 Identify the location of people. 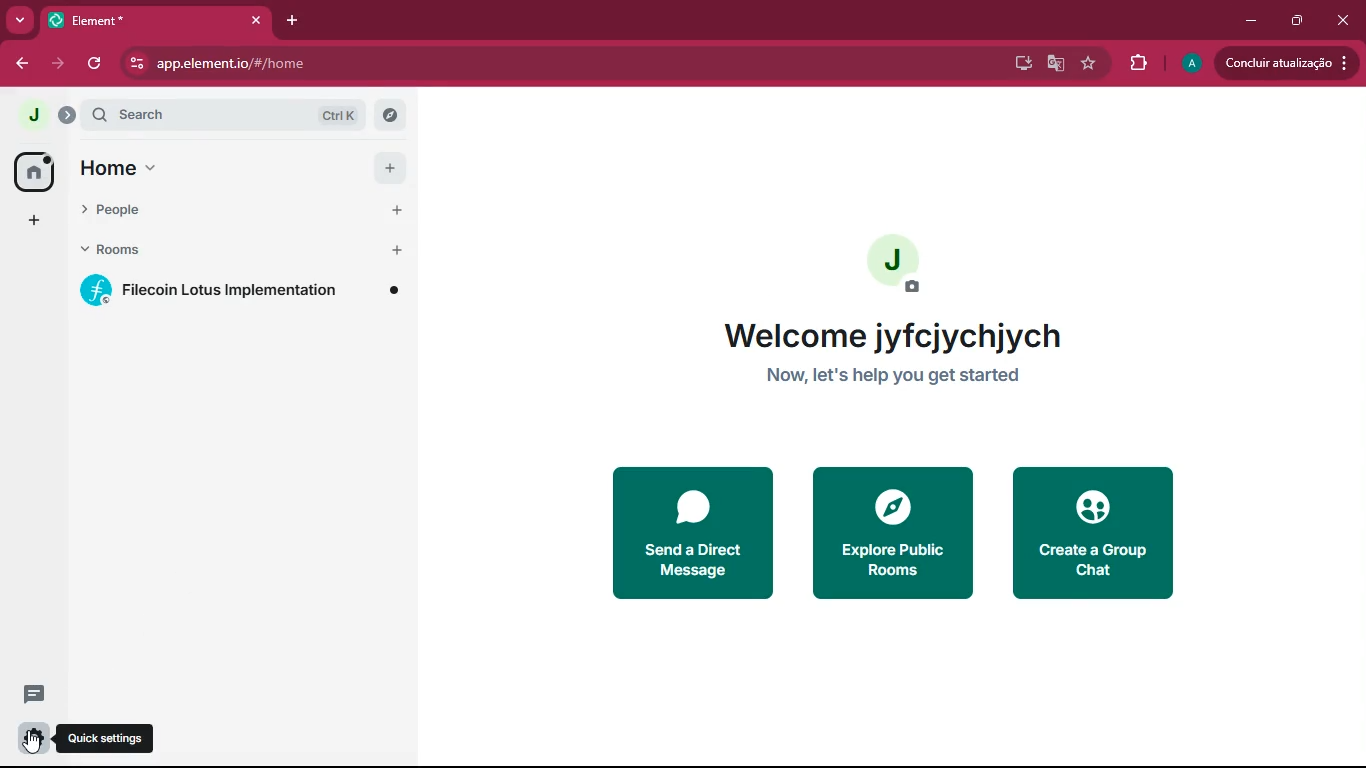
(138, 209).